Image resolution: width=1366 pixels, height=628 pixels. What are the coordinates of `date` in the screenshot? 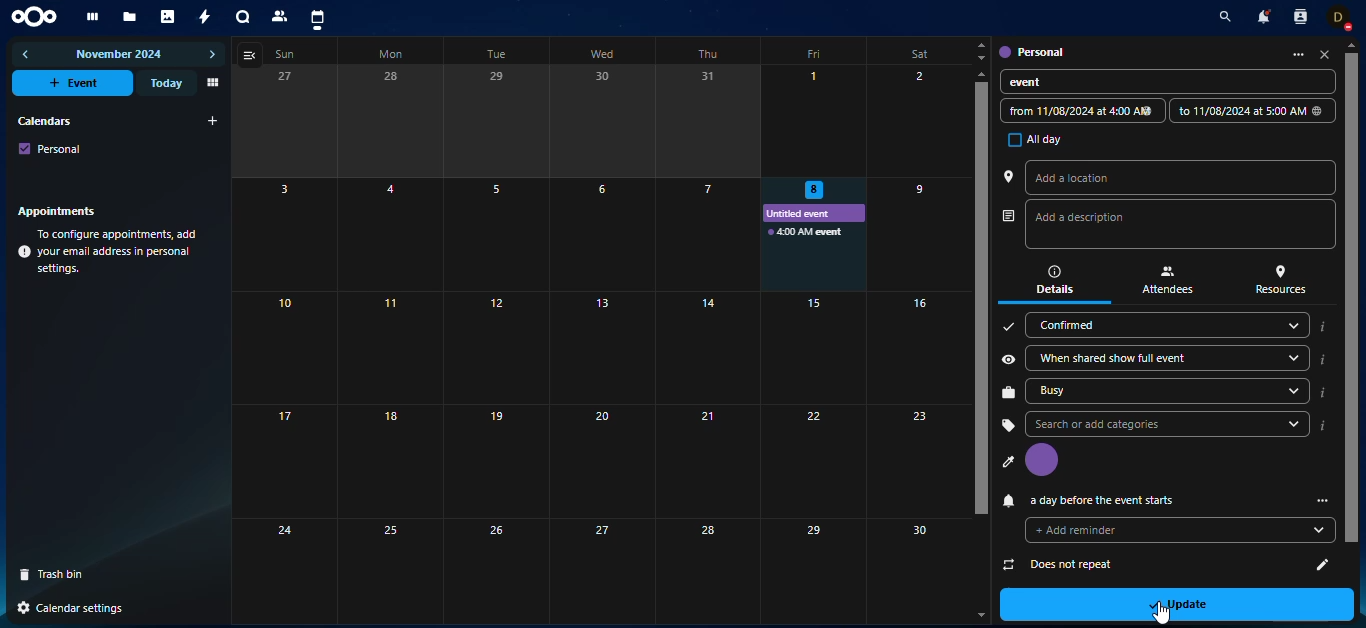 It's located at (1077, 110).